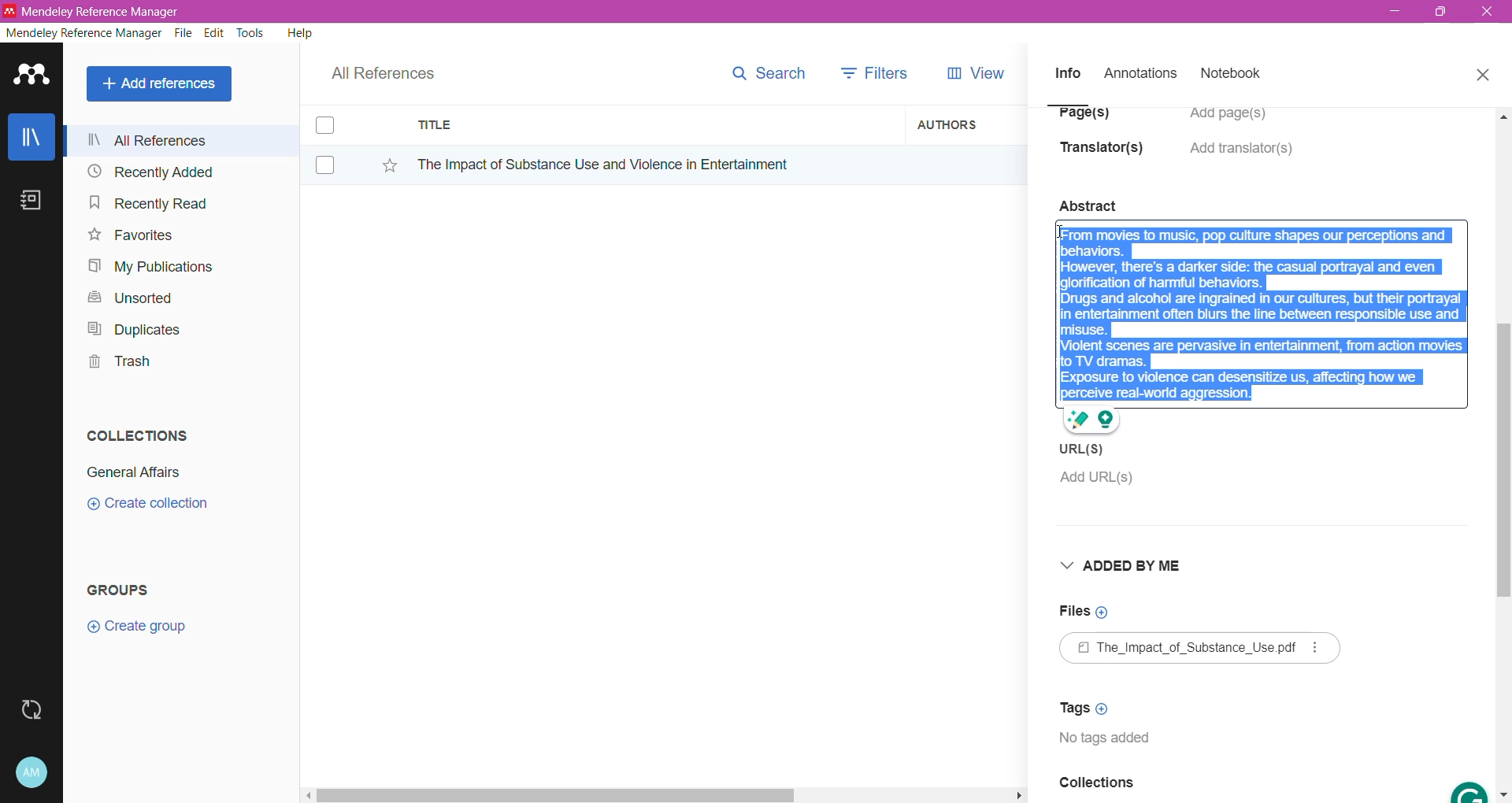  Describe the element at coordinates (1488, 13) in the screenshot. I see `Close` at that location.